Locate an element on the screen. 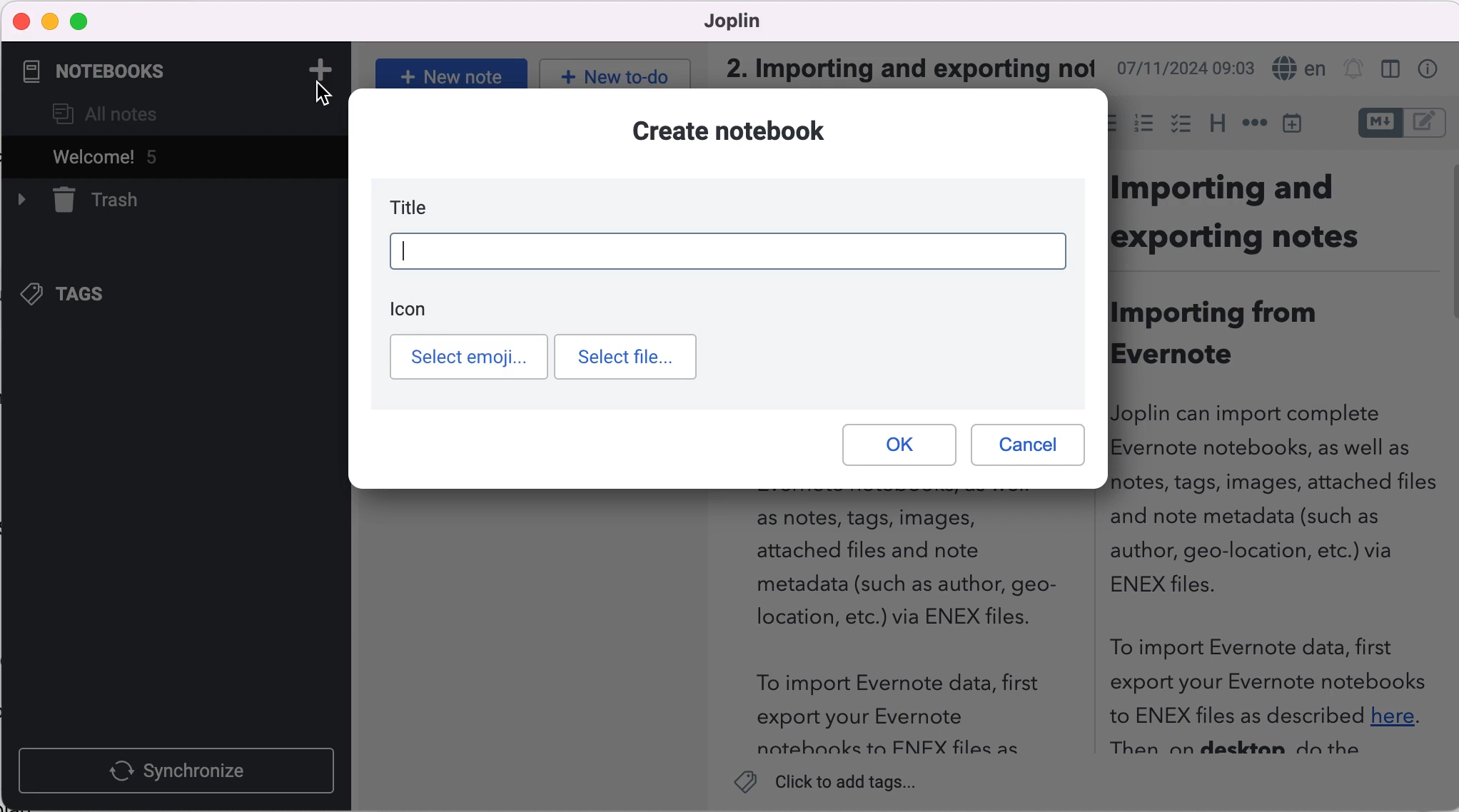 The width and height of the screenshot is (1459, 812). select emoji is located at coordinates (469, 357).